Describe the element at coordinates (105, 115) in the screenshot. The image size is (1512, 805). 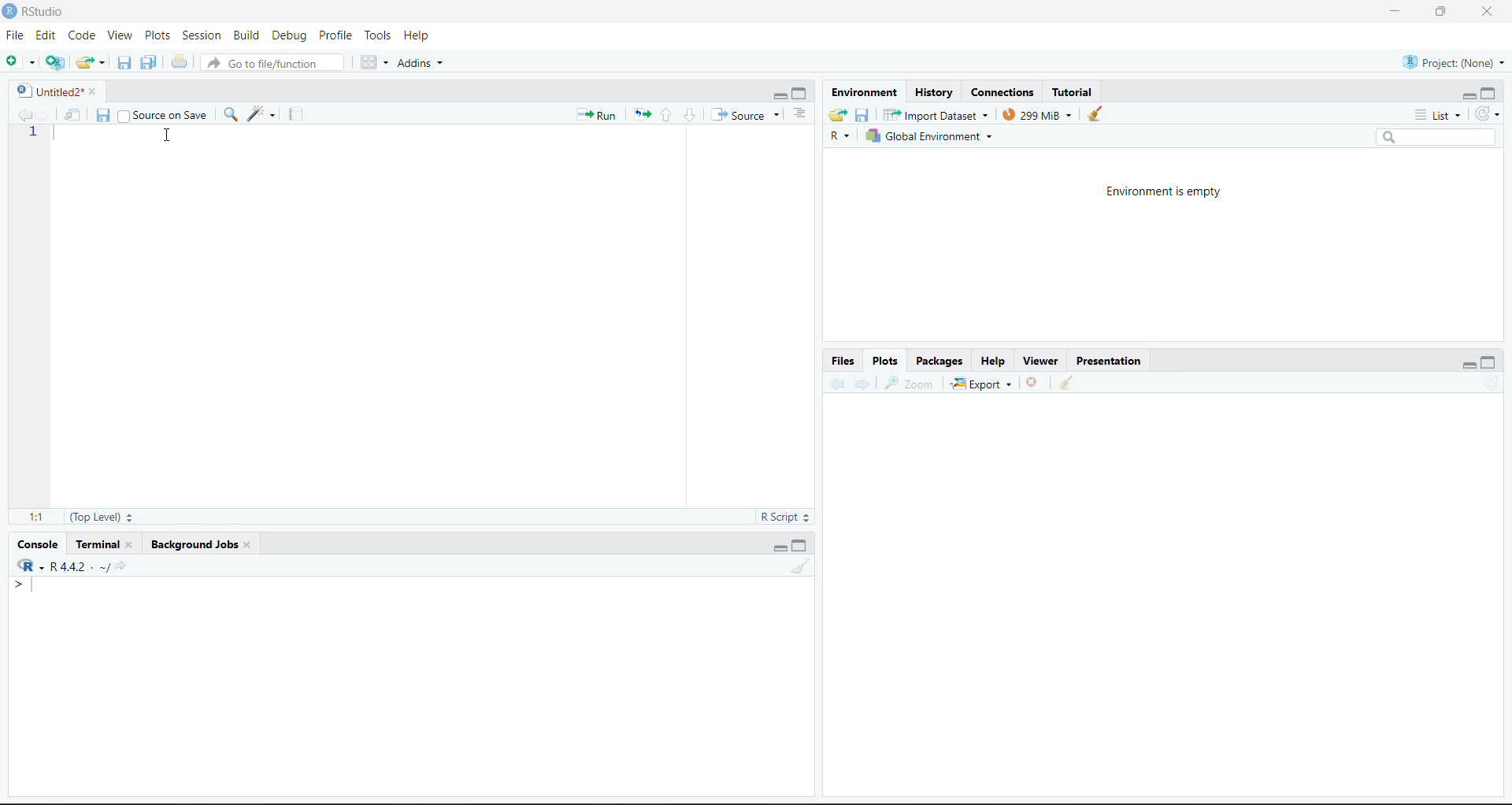
I see `save current document` at that location.